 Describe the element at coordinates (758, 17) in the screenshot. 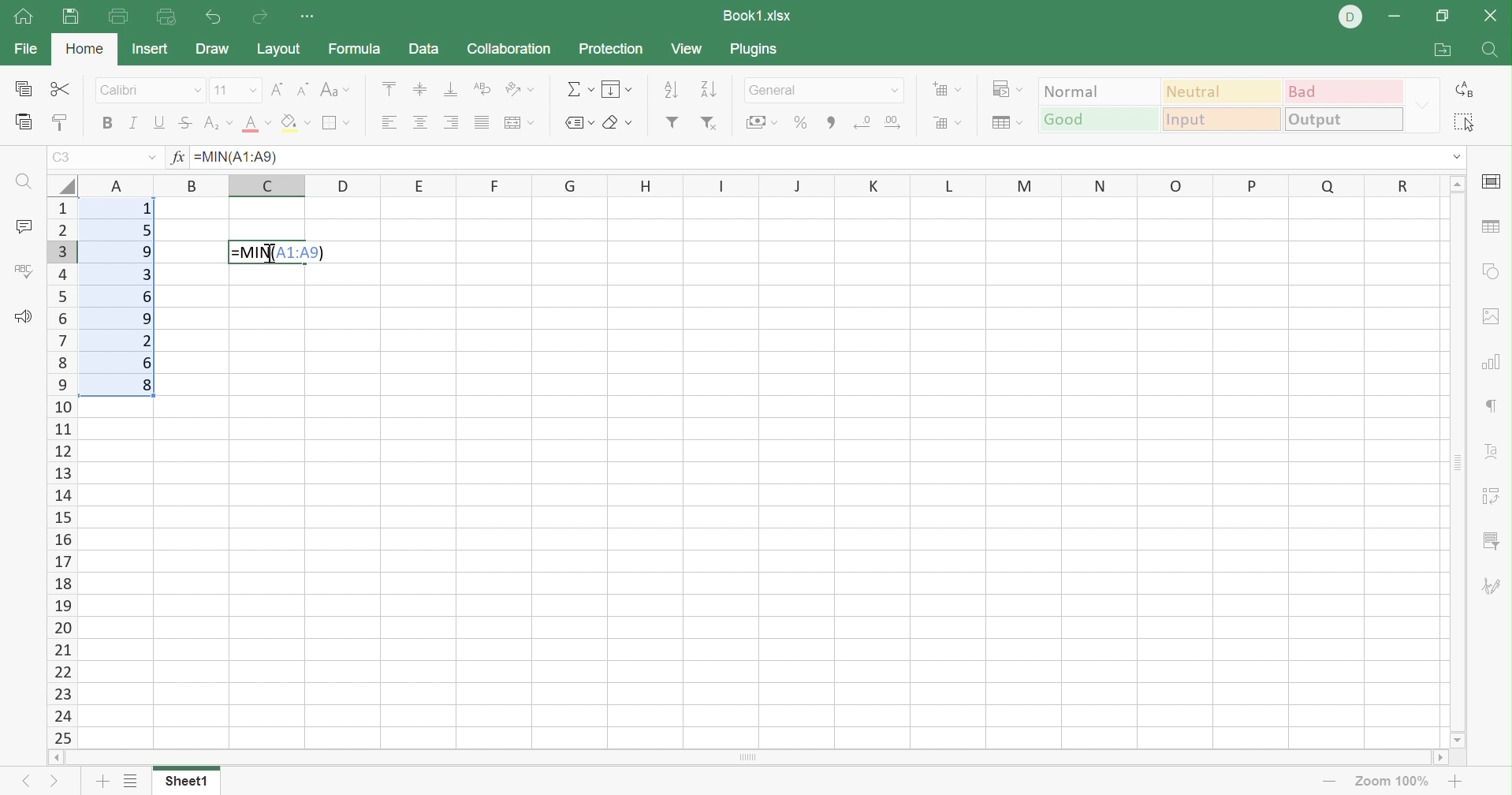

I see `Book1.xlsx` at that location.